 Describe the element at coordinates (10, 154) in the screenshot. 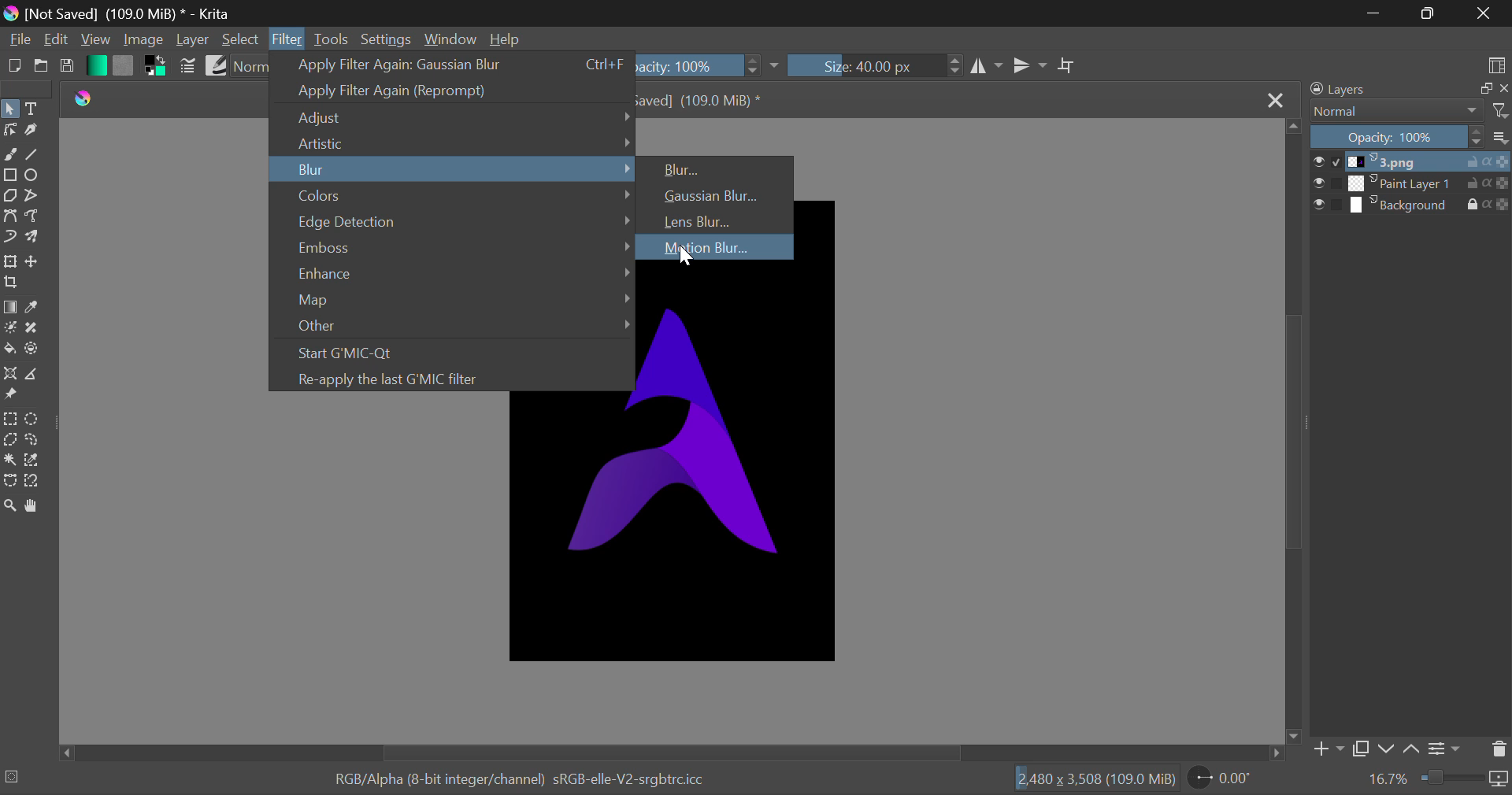

I see `Freehand` at that location.